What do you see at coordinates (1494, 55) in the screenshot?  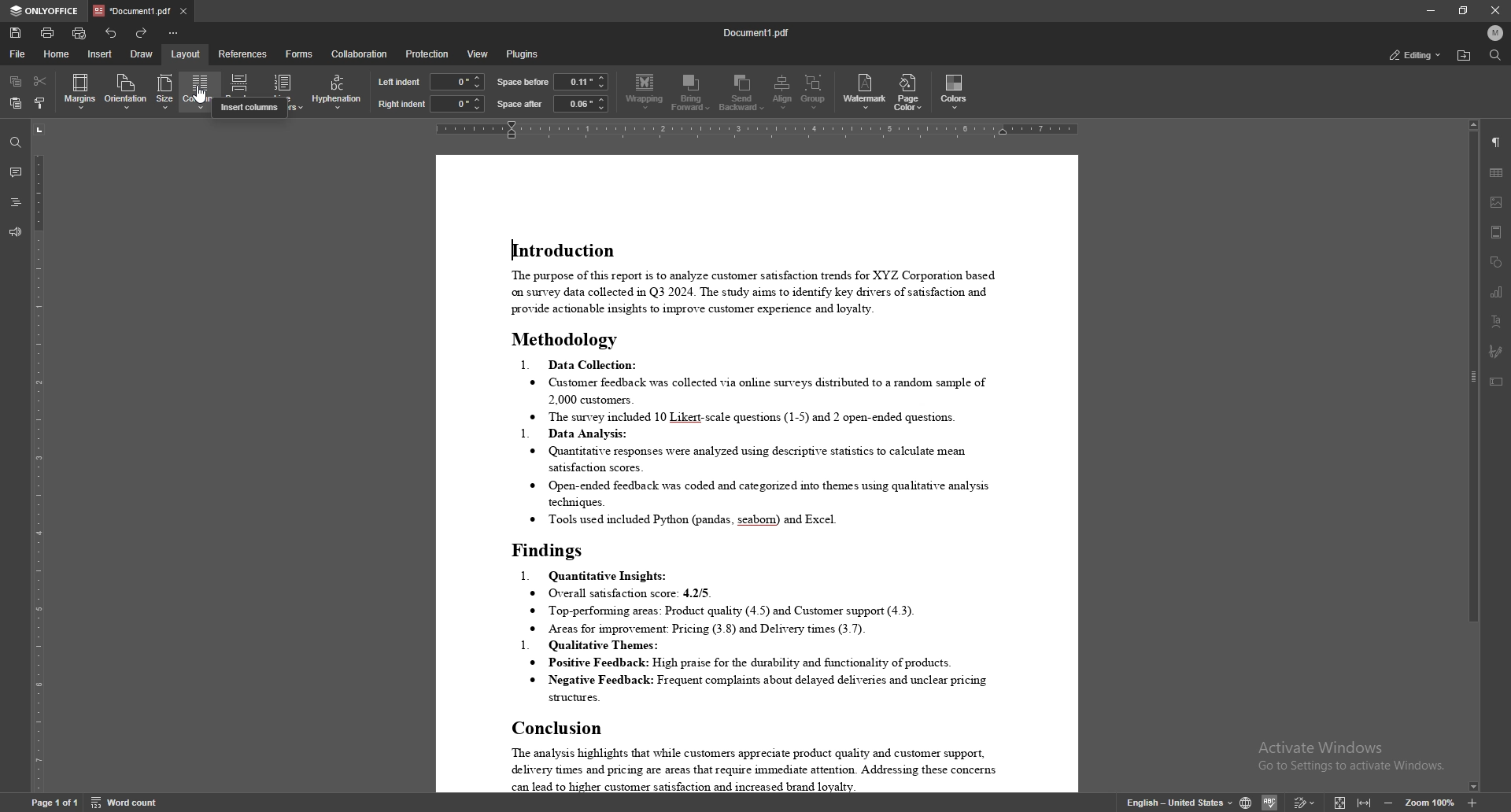 I see `find` at bounding box center [1494, 55].